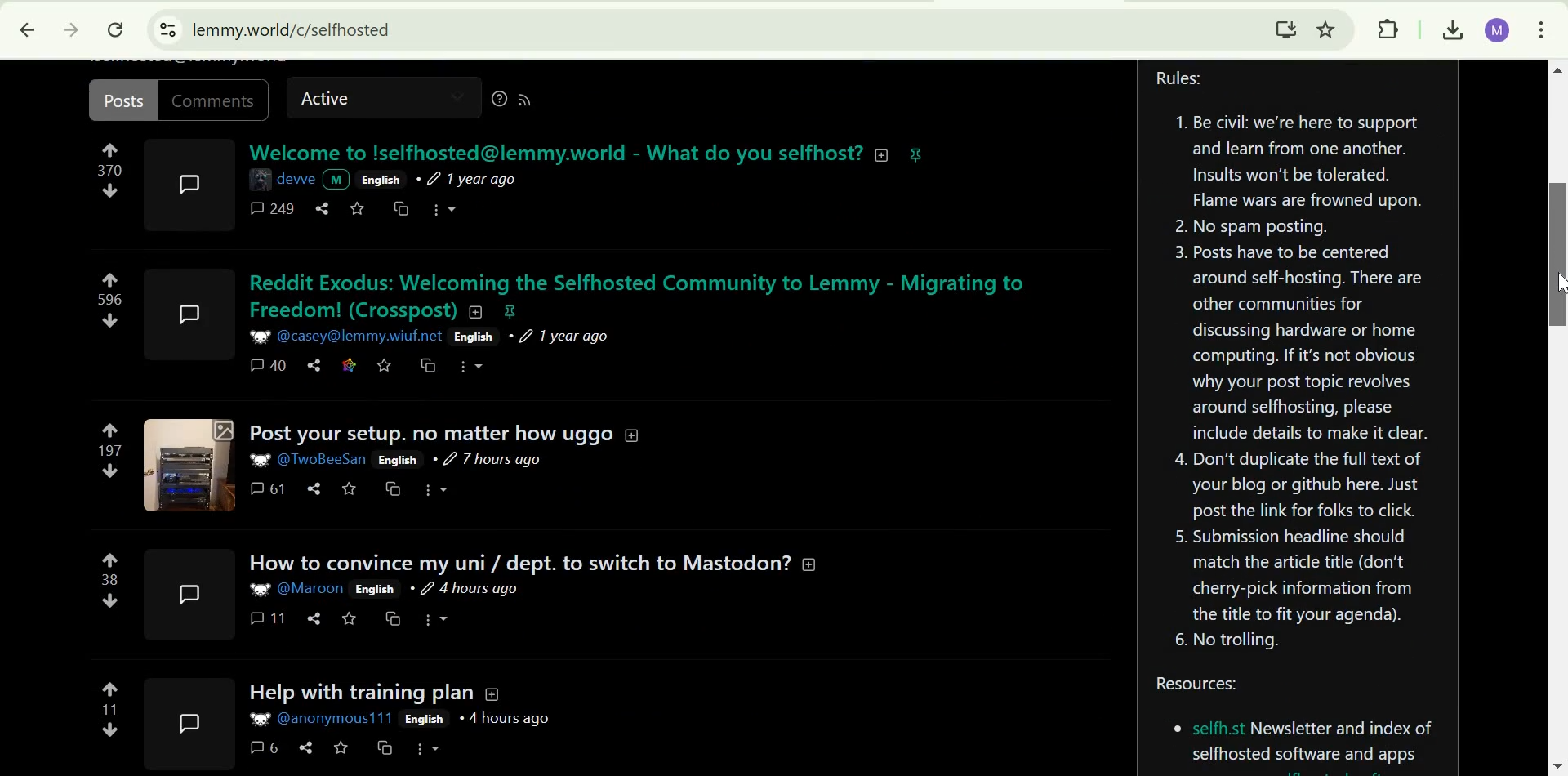  Describe the element at coordinates (111, 689) in the screenshot. I see `upvote` at that location.